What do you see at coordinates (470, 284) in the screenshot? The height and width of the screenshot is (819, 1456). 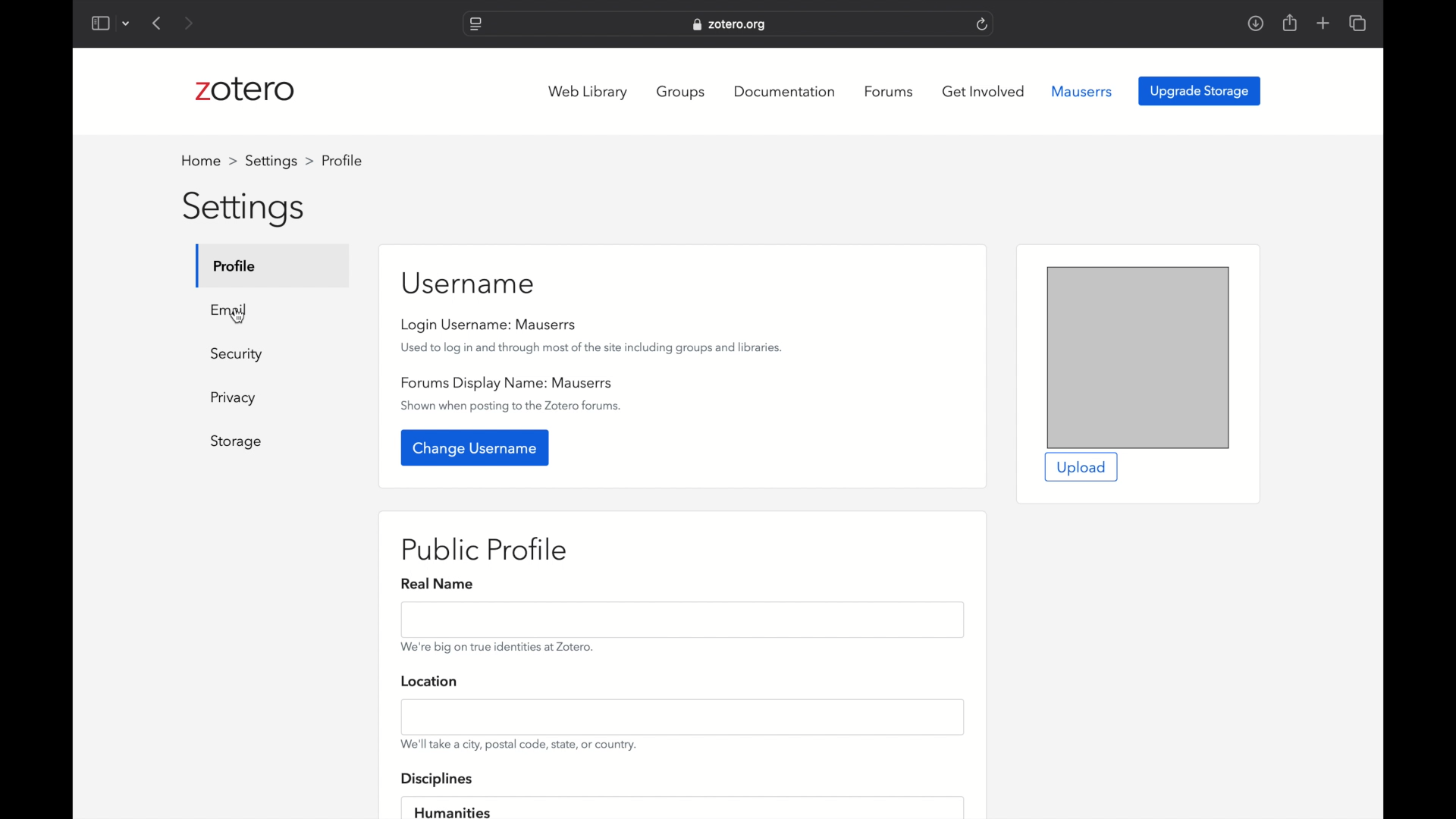 I see `username` at bounding box center [470, 284].